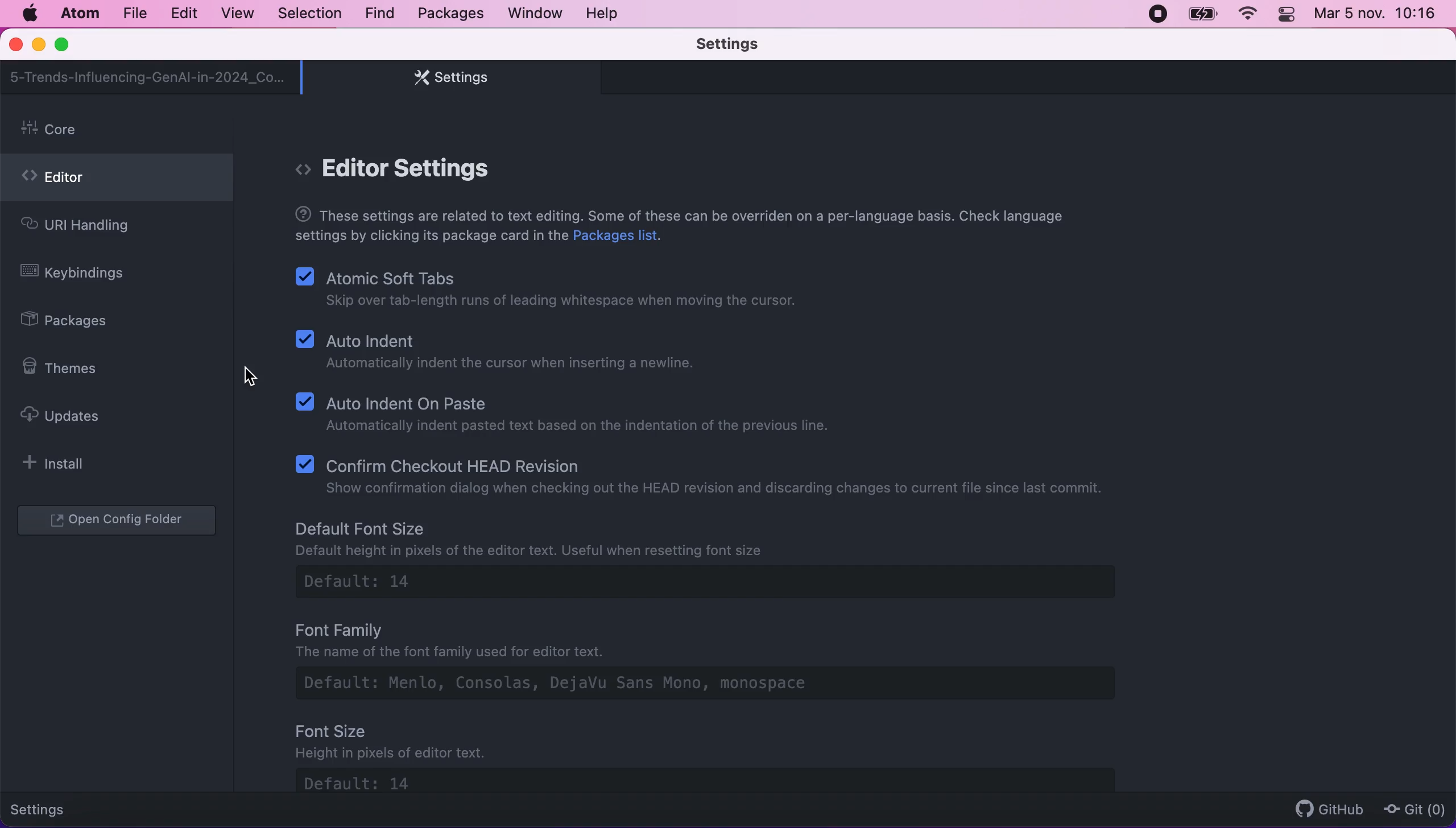 The width and height of the screenshot is (1456, 828). I want to click on install, so click(60, 463).